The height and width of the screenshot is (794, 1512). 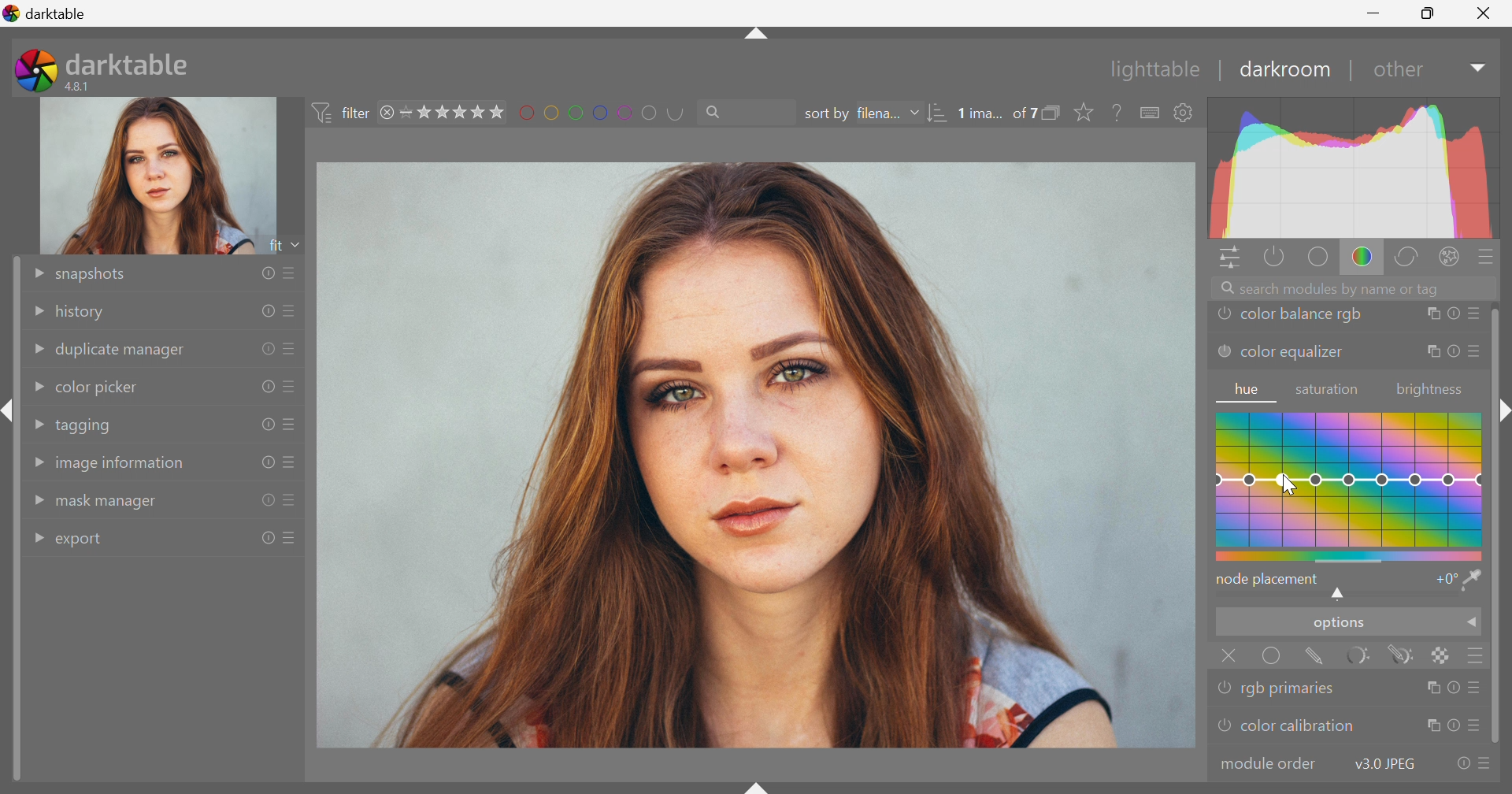 I want to click on |, so click(x=1350, y=70).